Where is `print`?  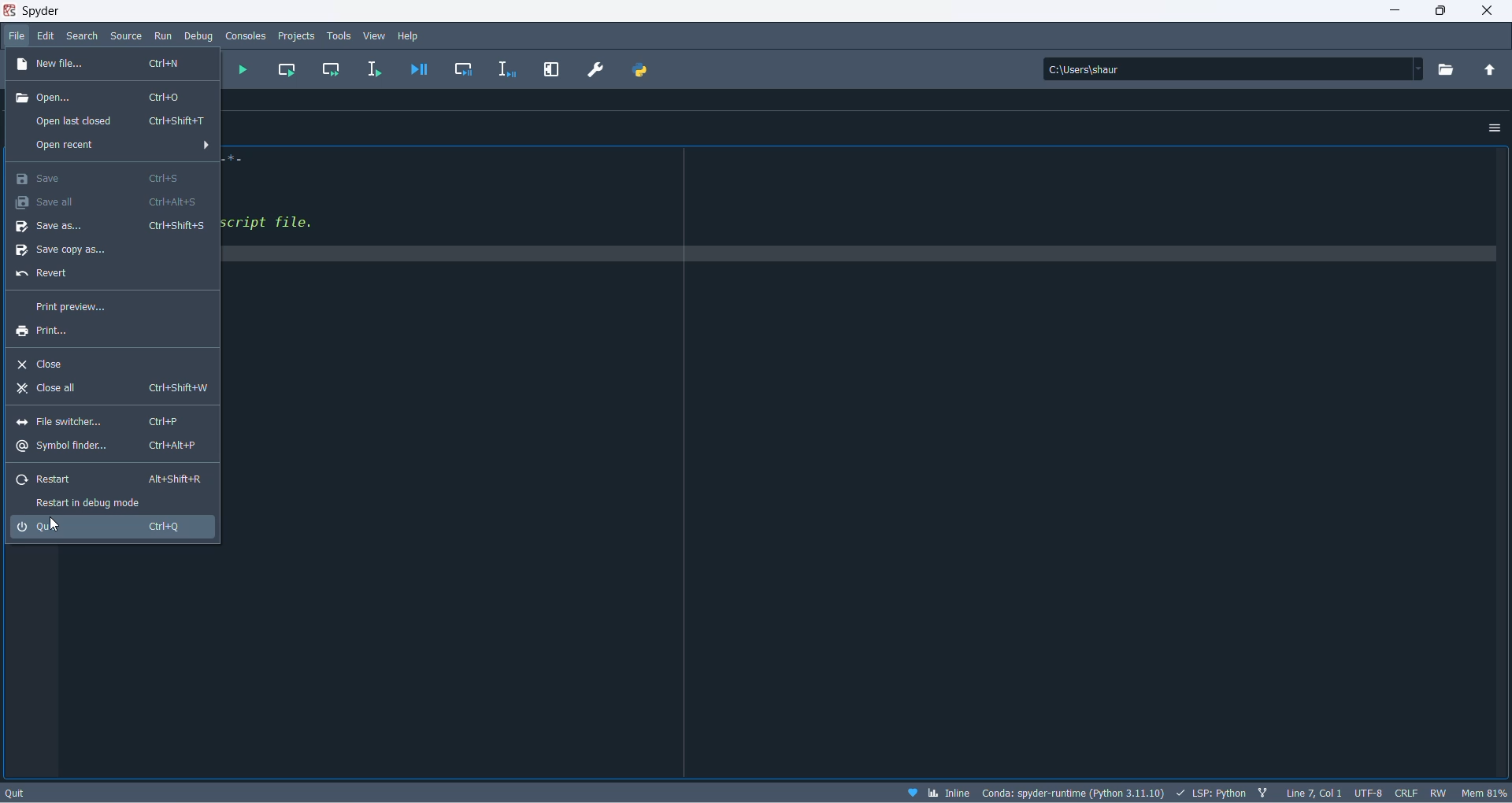
print is located at coordinates (113, 335).